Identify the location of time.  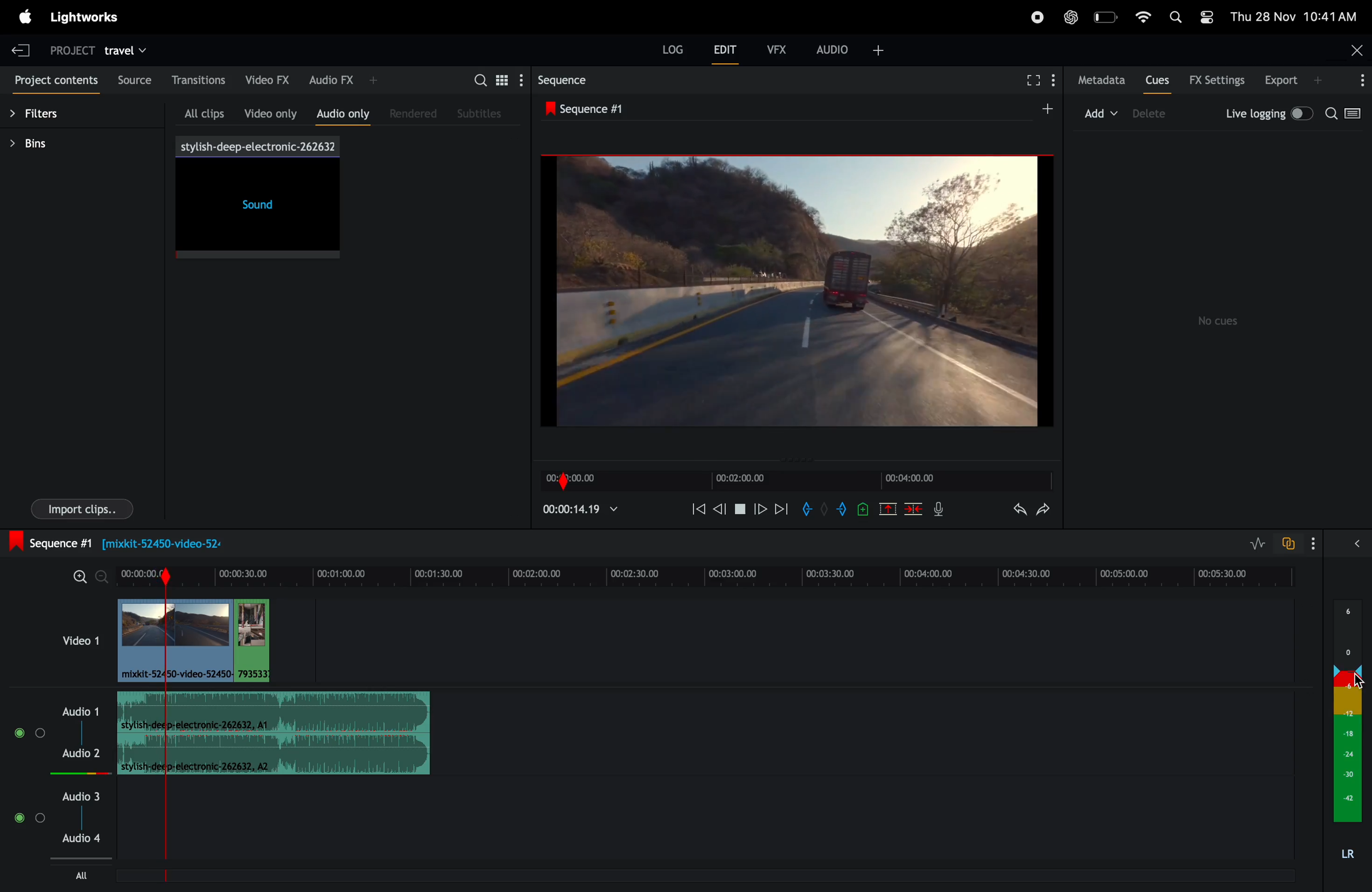
(583, 478).